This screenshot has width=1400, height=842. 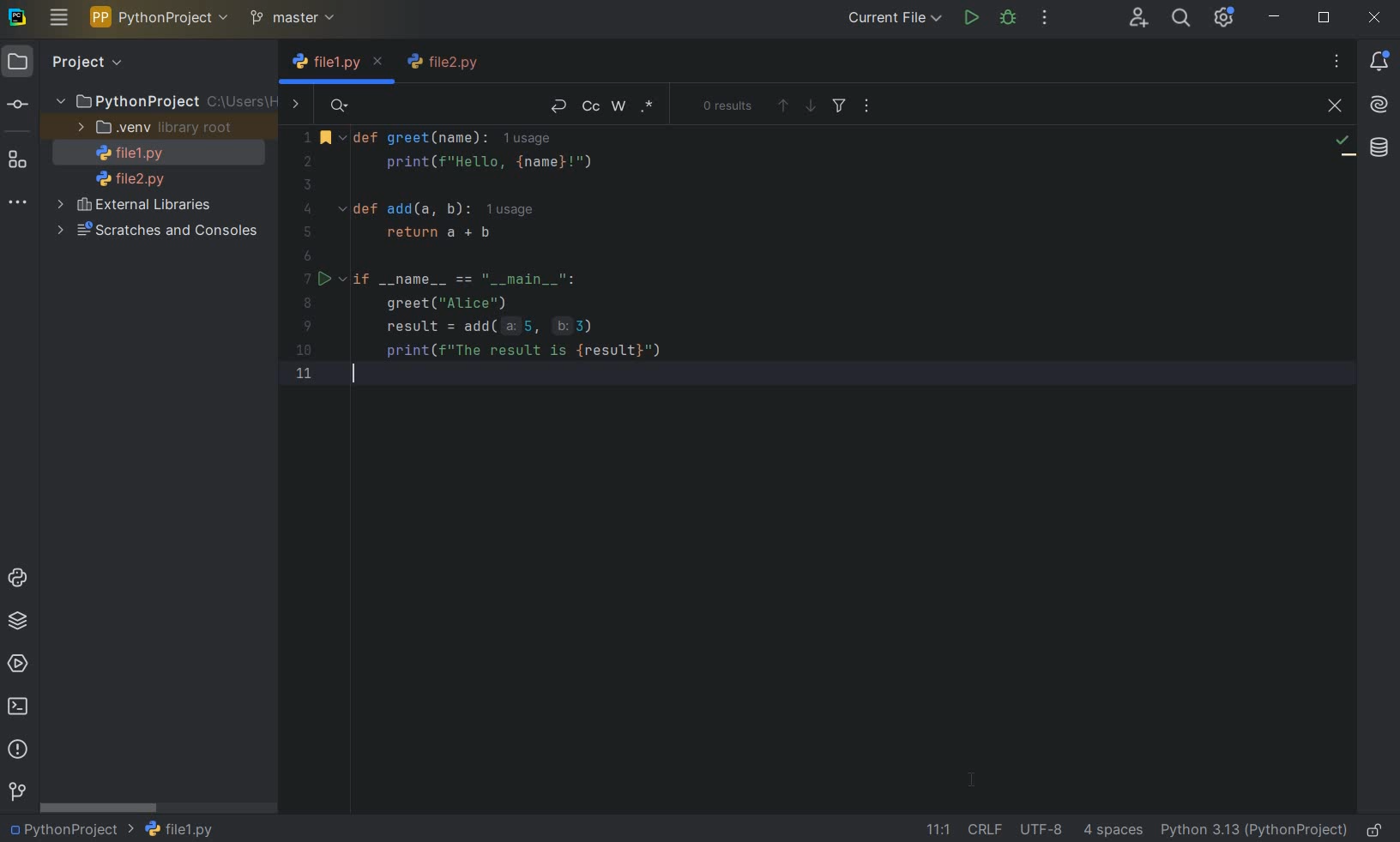 I want to click on LINE SEPARATOR, so click(x=984, y=828).